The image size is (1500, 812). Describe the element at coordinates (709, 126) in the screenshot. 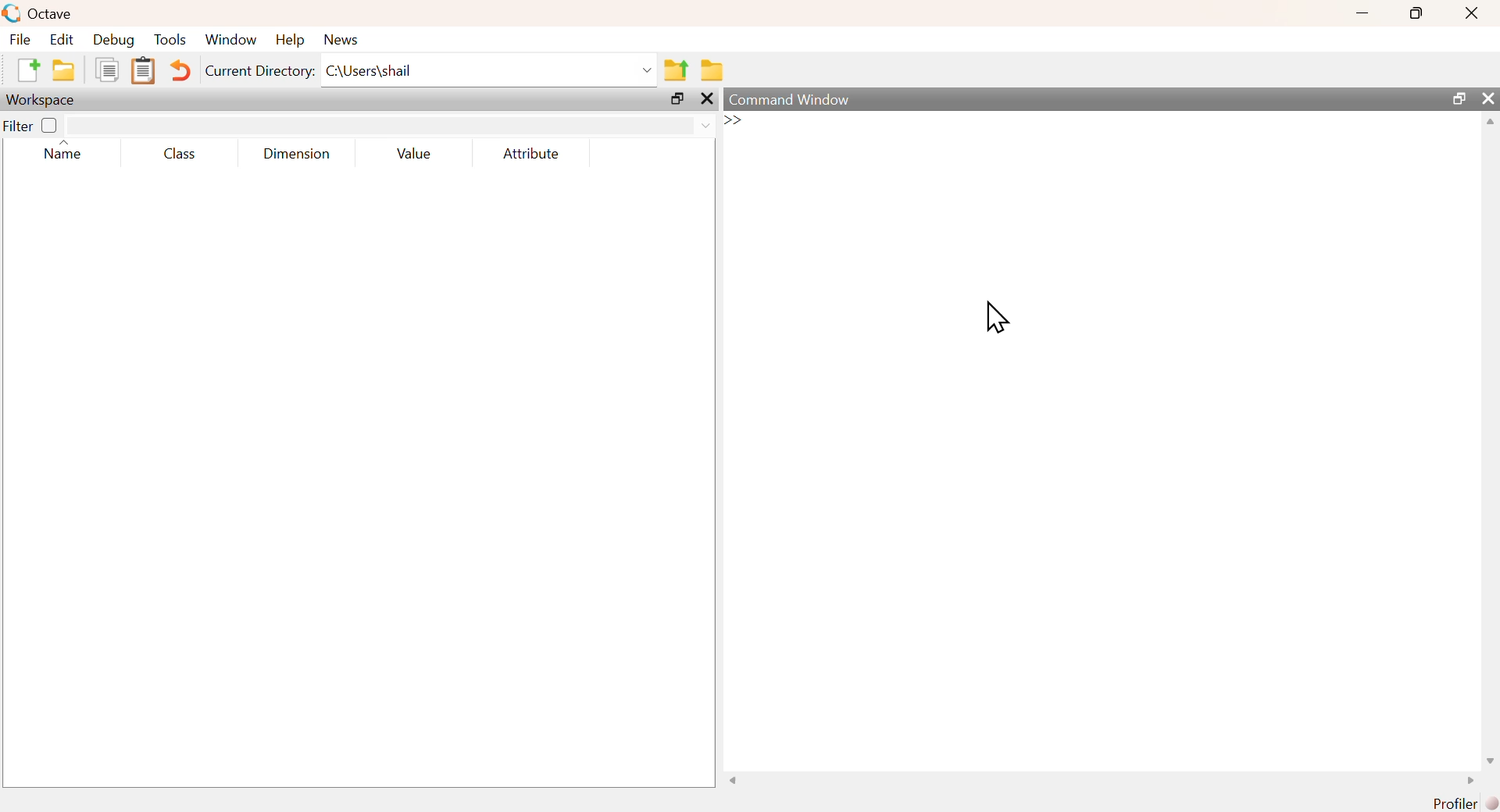

I see `dropdown` at that location.